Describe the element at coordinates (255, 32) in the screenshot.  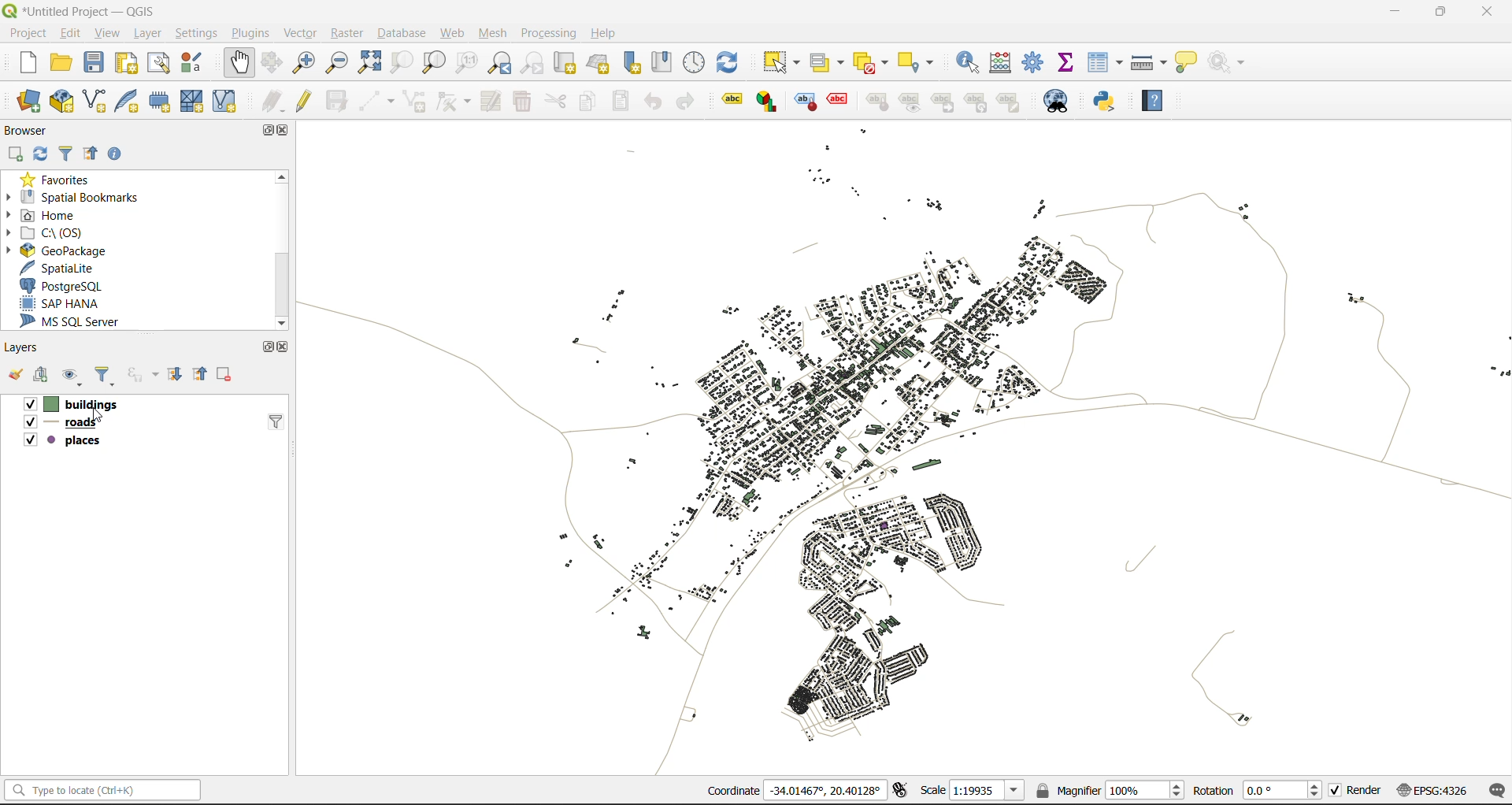
I see `plugins` at that location.